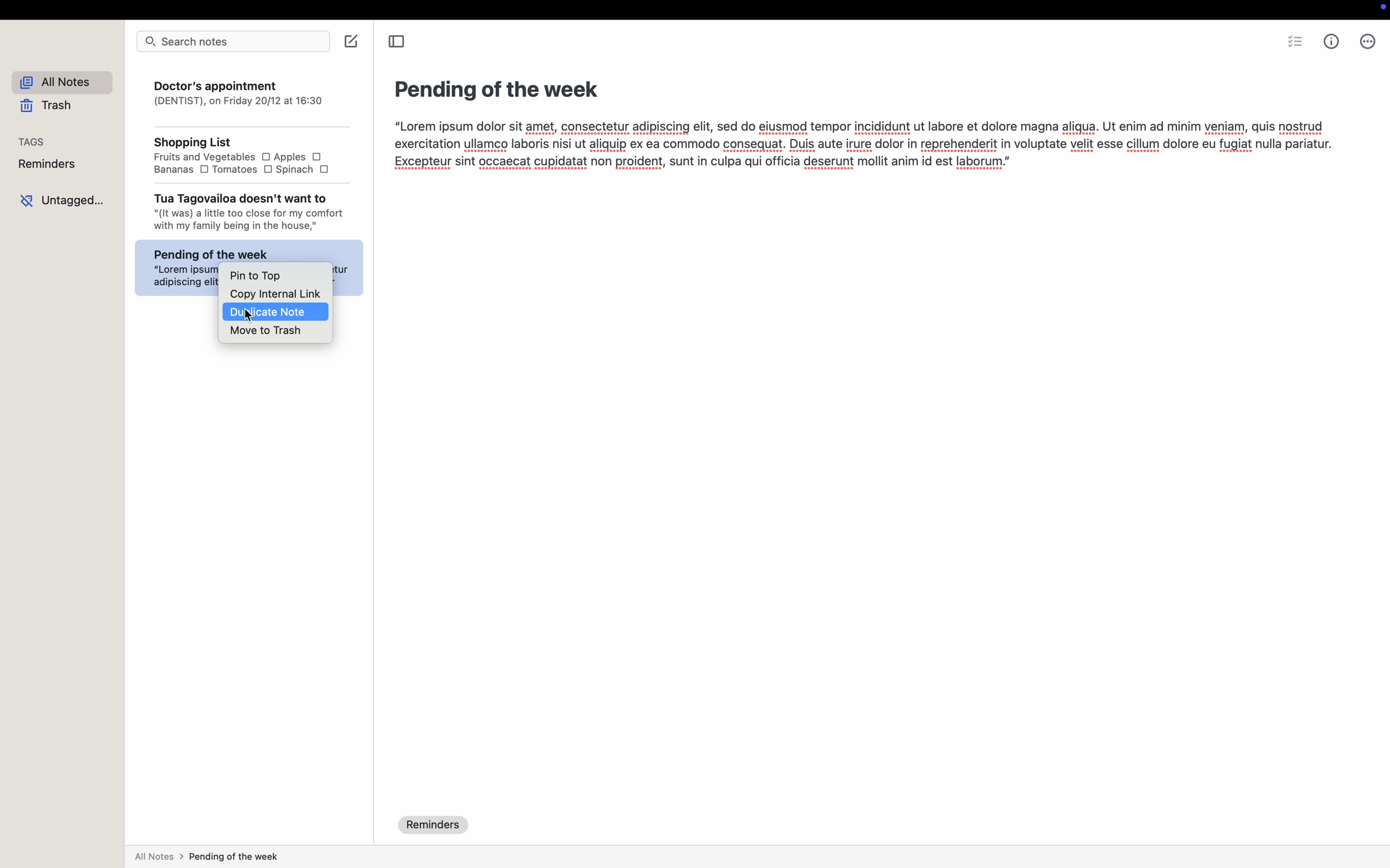  What do you see at coordinates (275, 273) in the screenshot?
I see `pin to top` at bounding box center [275, 273].